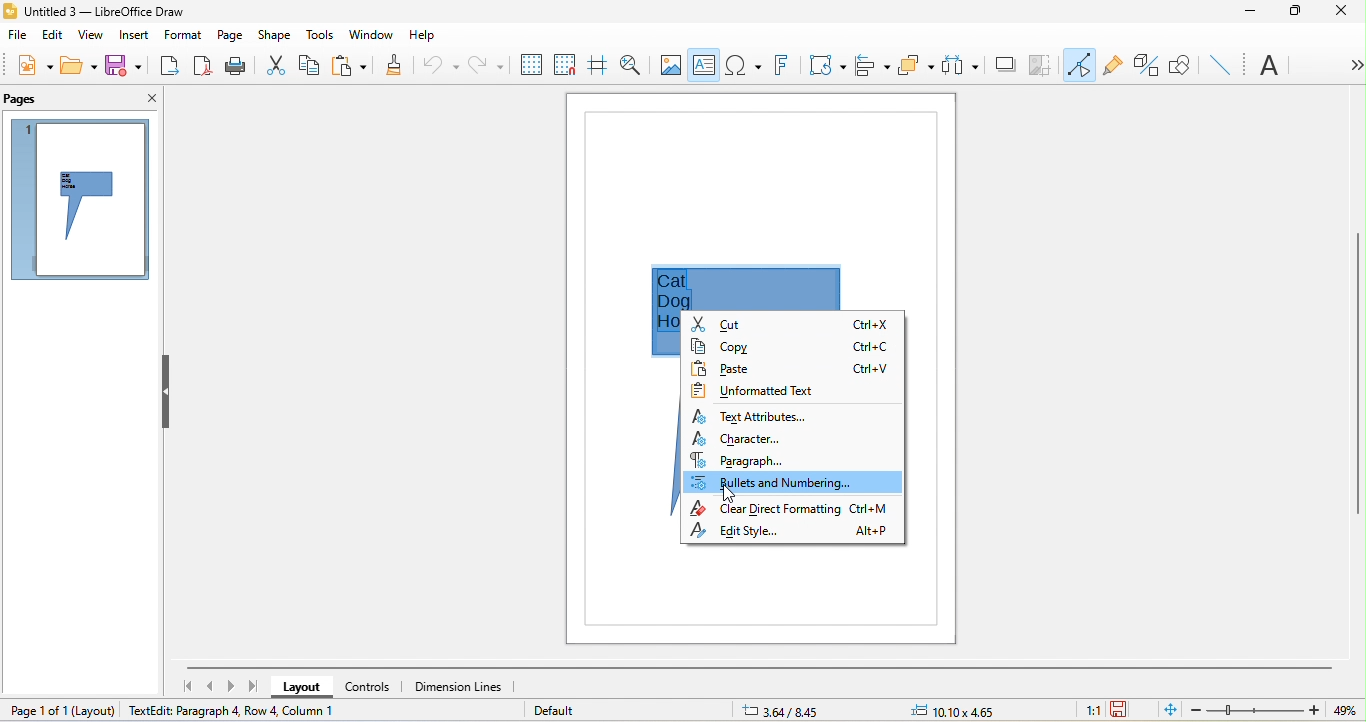 The image size is (1366, 722). What do you see at coordinates (559, 713) in the screenshot?
I see `default` at bounding box center [559, 713].